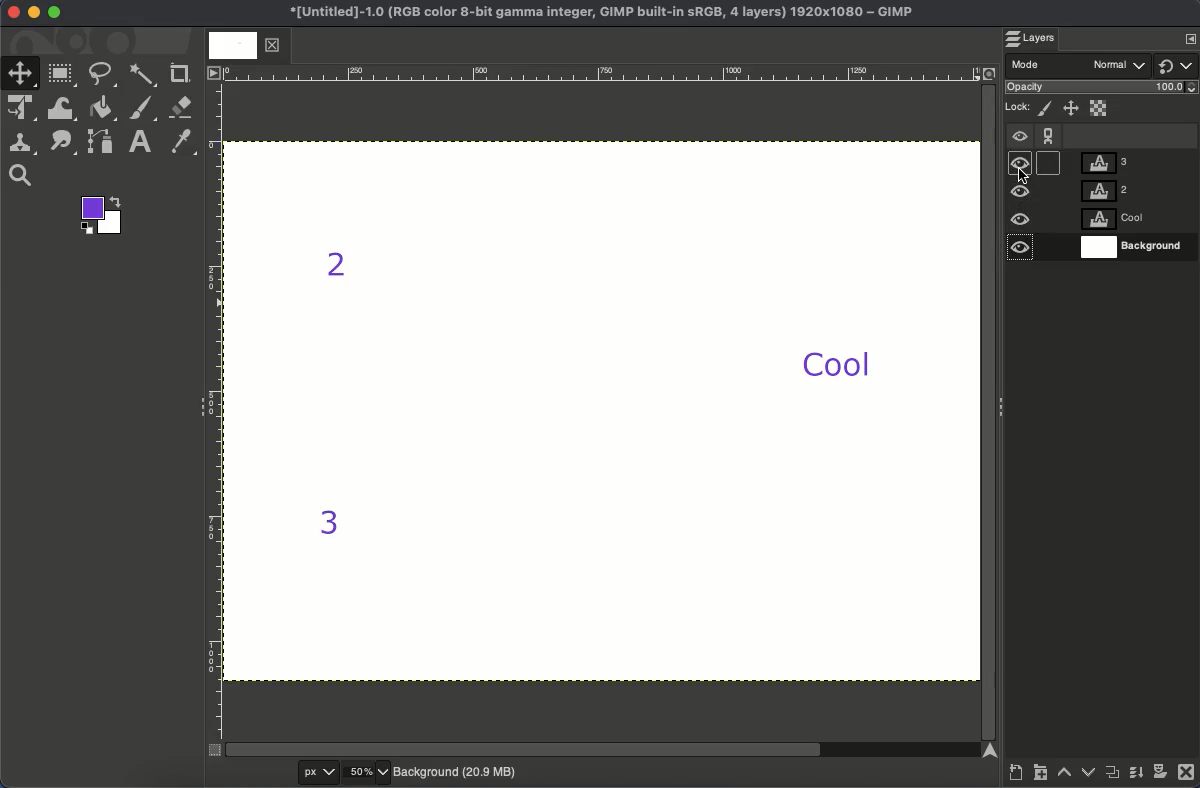 Image resolution: width=1200 pixels, height=788 pixels. I want to click on Scroll, so click(988, 409).